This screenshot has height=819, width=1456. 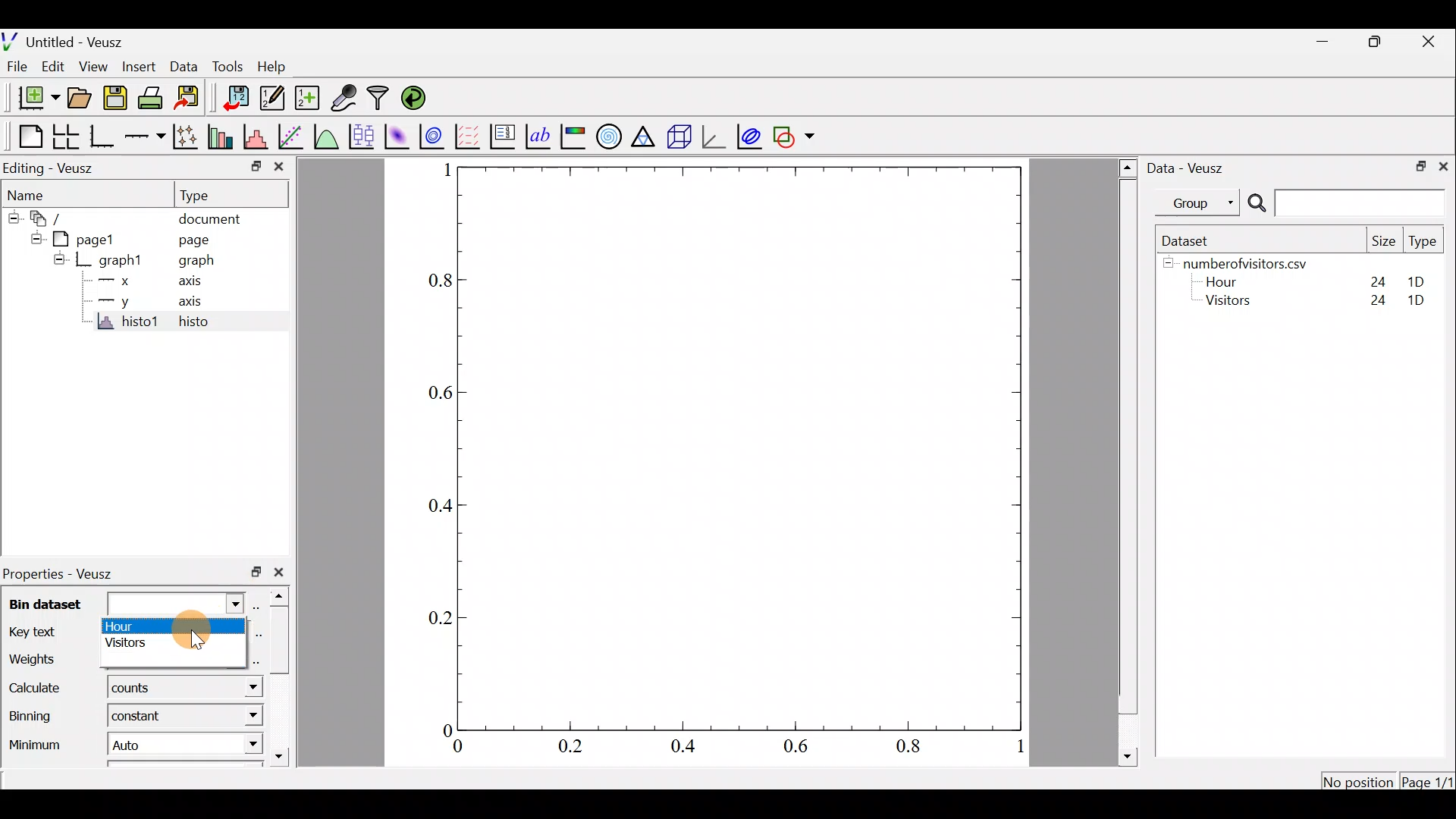 What do you see at coordinates (231, 97) in the screenshot?
I see `import data into Veusz` at bounding box center [231, 97].